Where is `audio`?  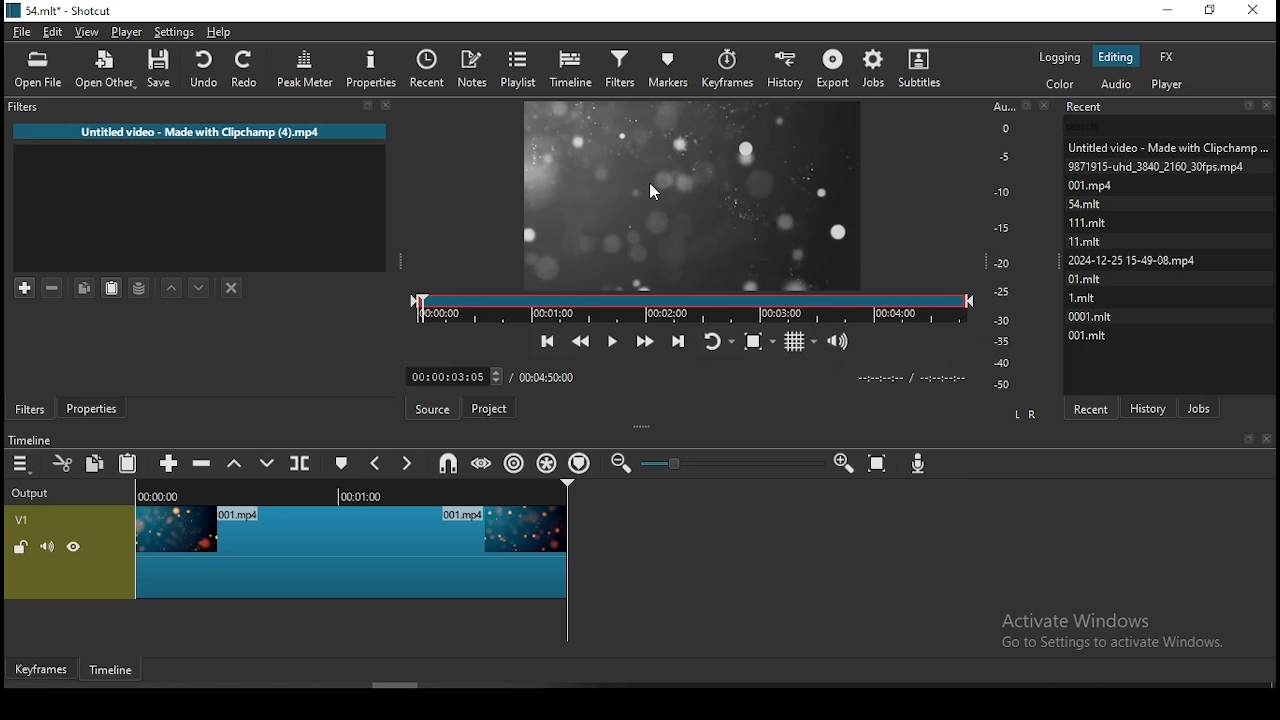
audio is located at coordinates (1117, 83).